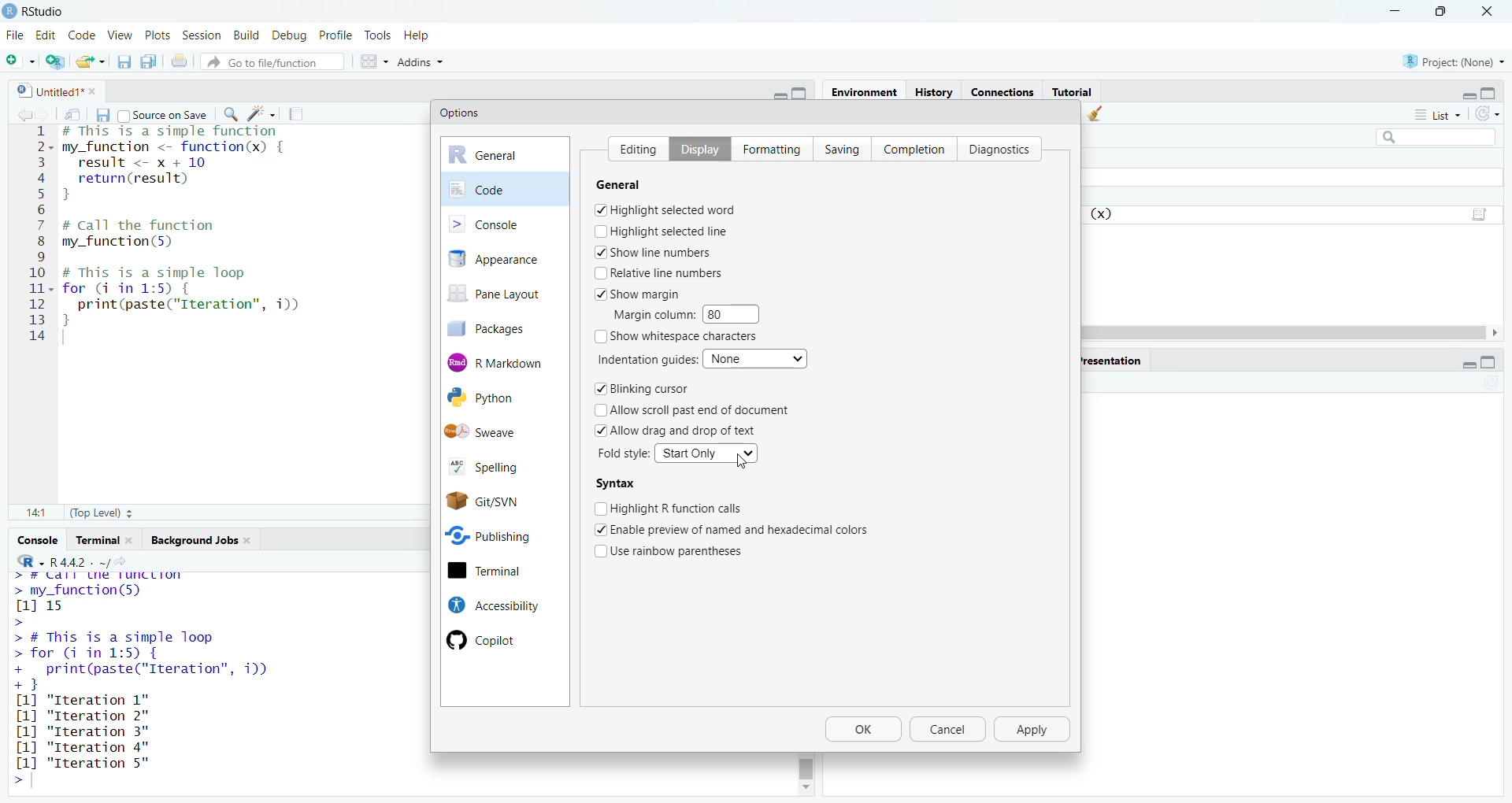 This screenshot has height=803, width=1512. What do you see at coordinates (120, 35) in the screenshot?
I see `view` at bounding box center [120, 35].